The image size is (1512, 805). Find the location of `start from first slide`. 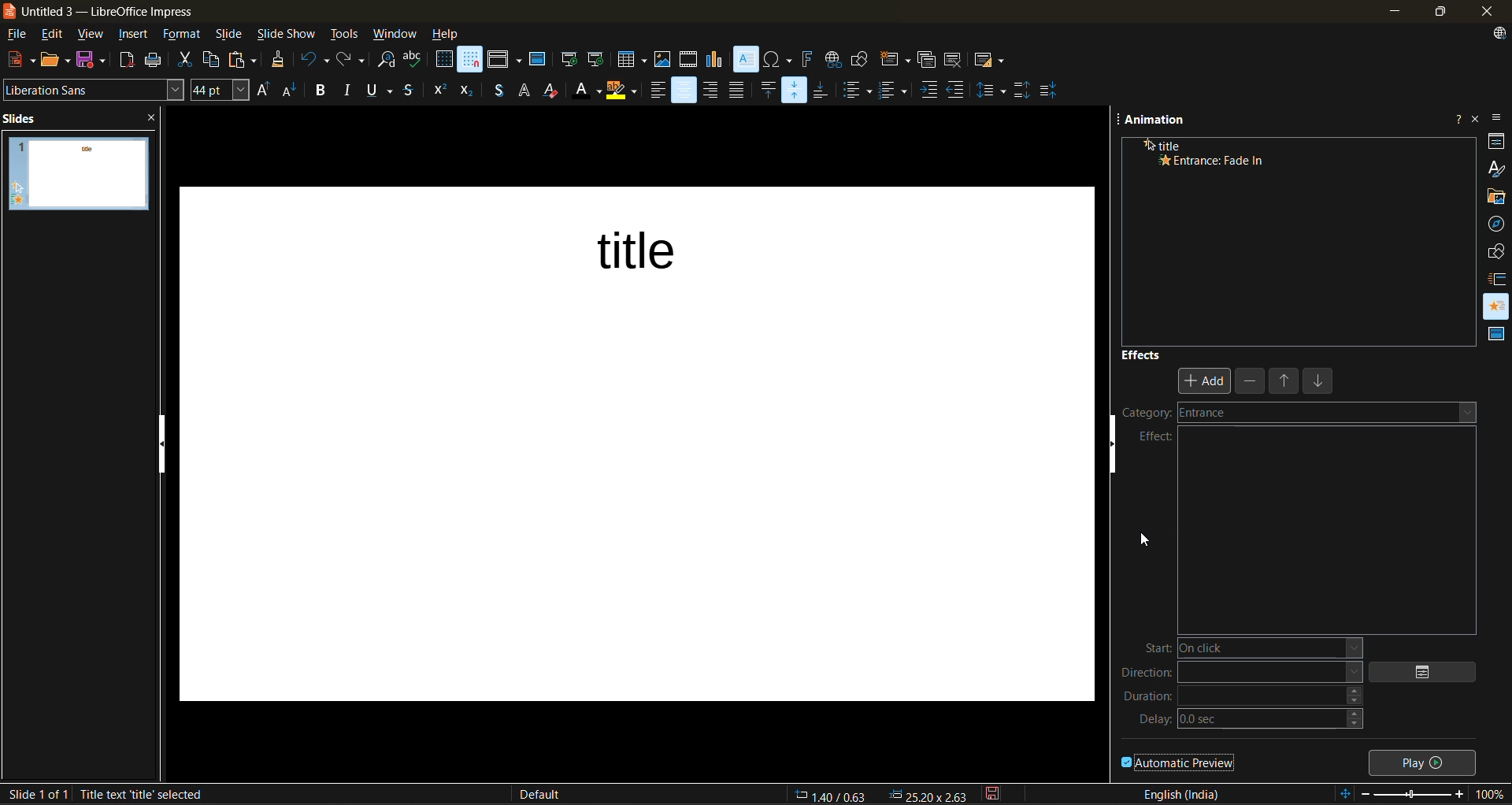

start from first slide is located at coordinates (569, 61).